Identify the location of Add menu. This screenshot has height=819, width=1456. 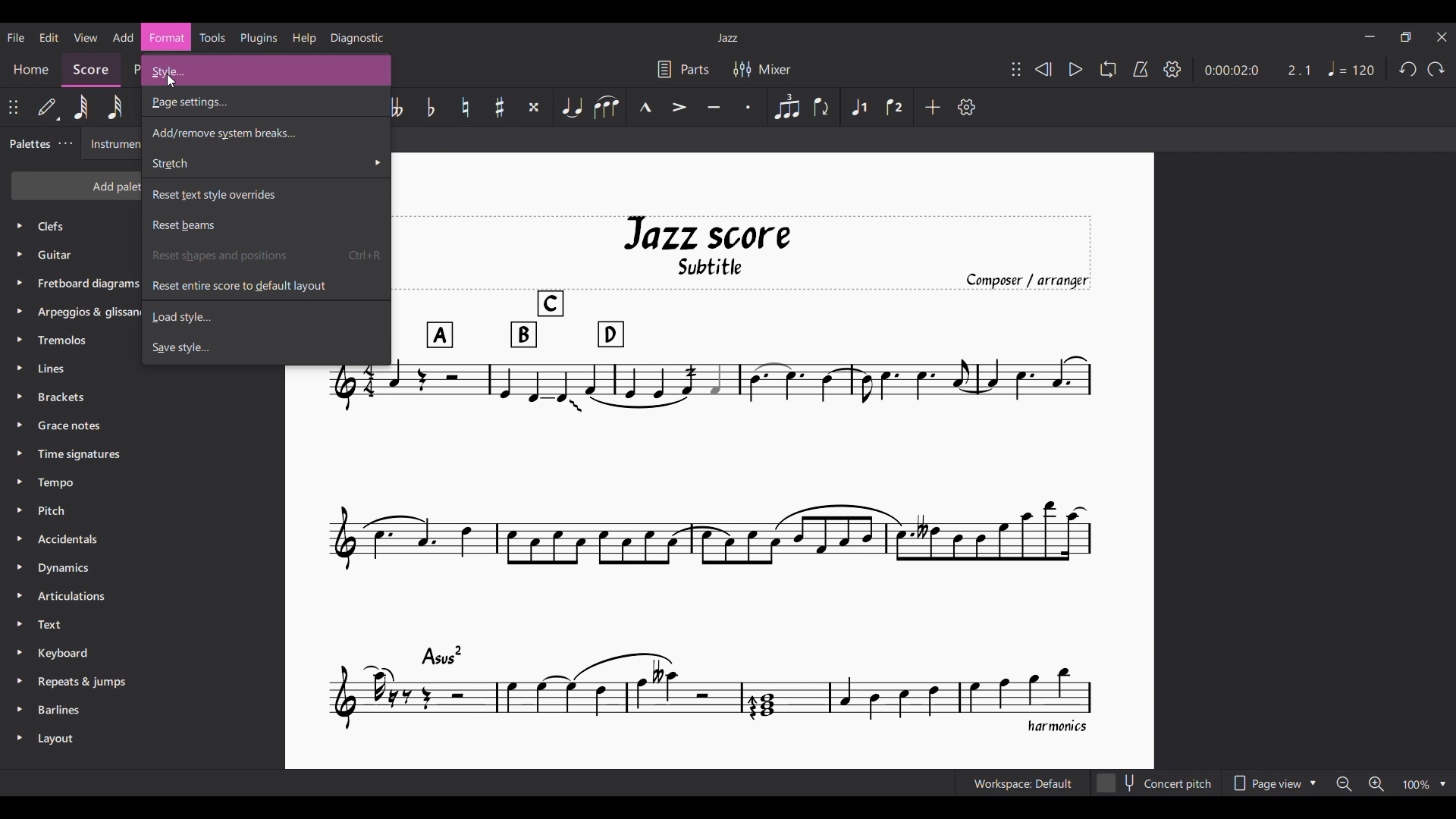
(123, 38).